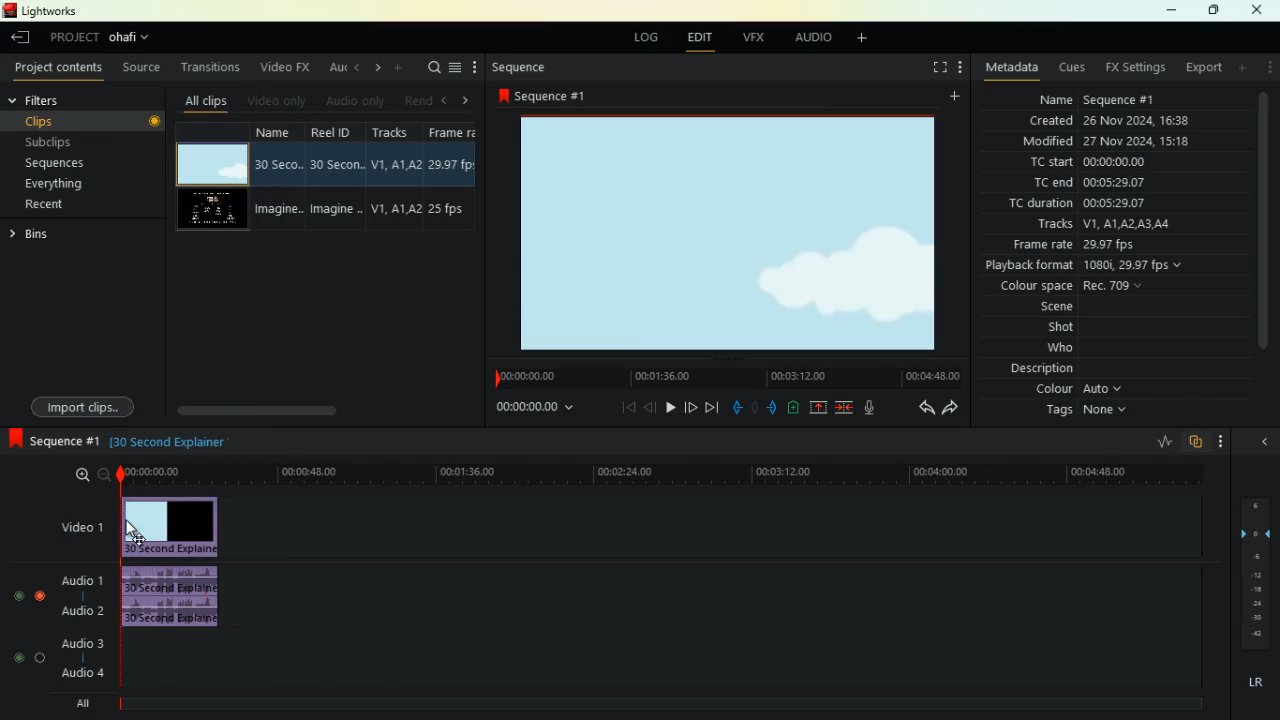 The image size is (1280, 720). I want to click on filters, so click(57, 99).